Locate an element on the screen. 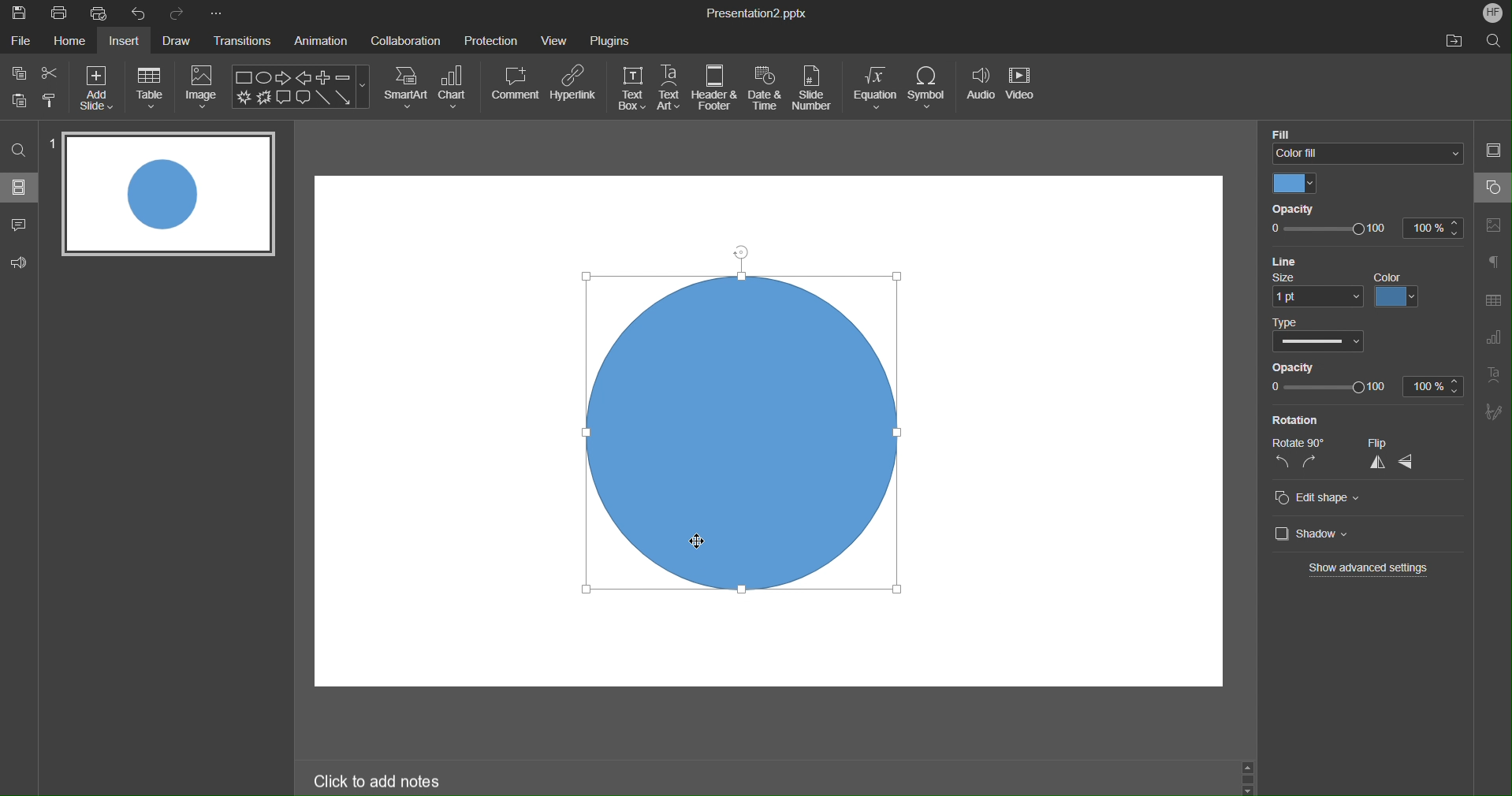 This screenshot has width=1512, height=796. Color is located at coordinates (1294, 184).